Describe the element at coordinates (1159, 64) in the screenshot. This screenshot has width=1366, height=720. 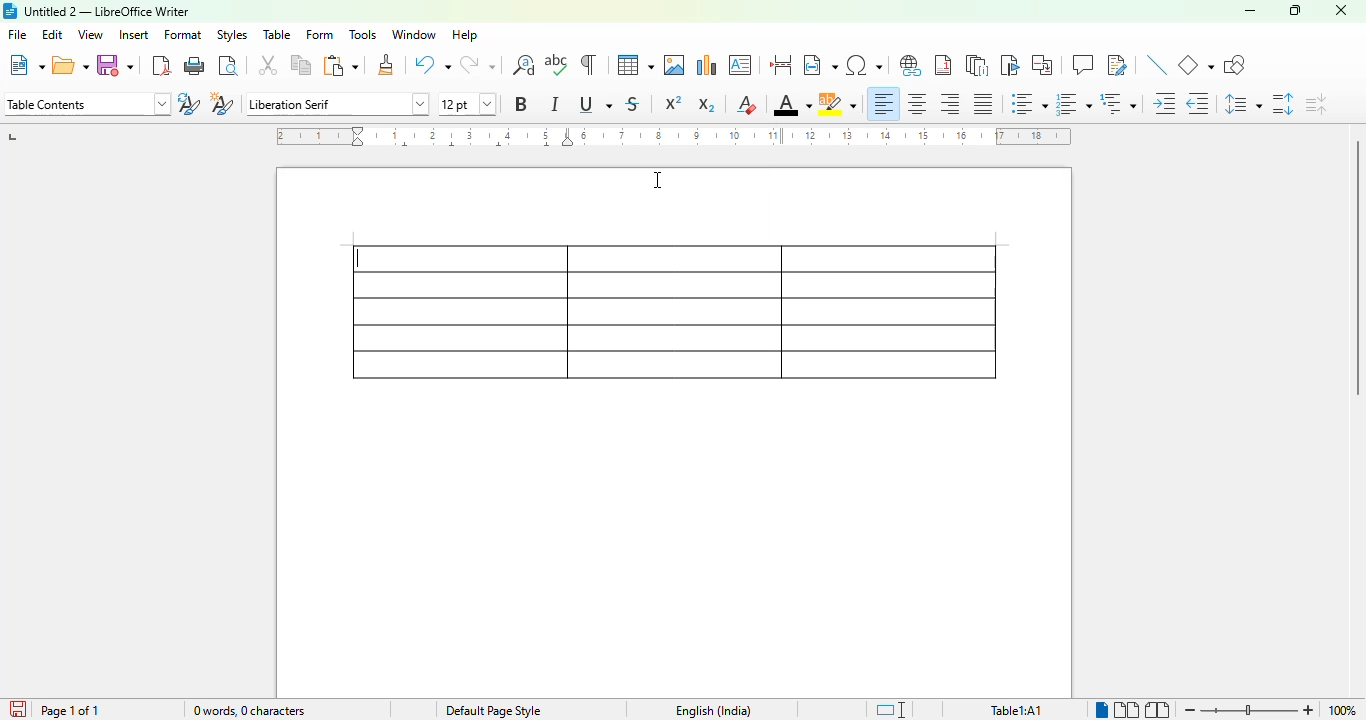
I see `insert line` at that location.